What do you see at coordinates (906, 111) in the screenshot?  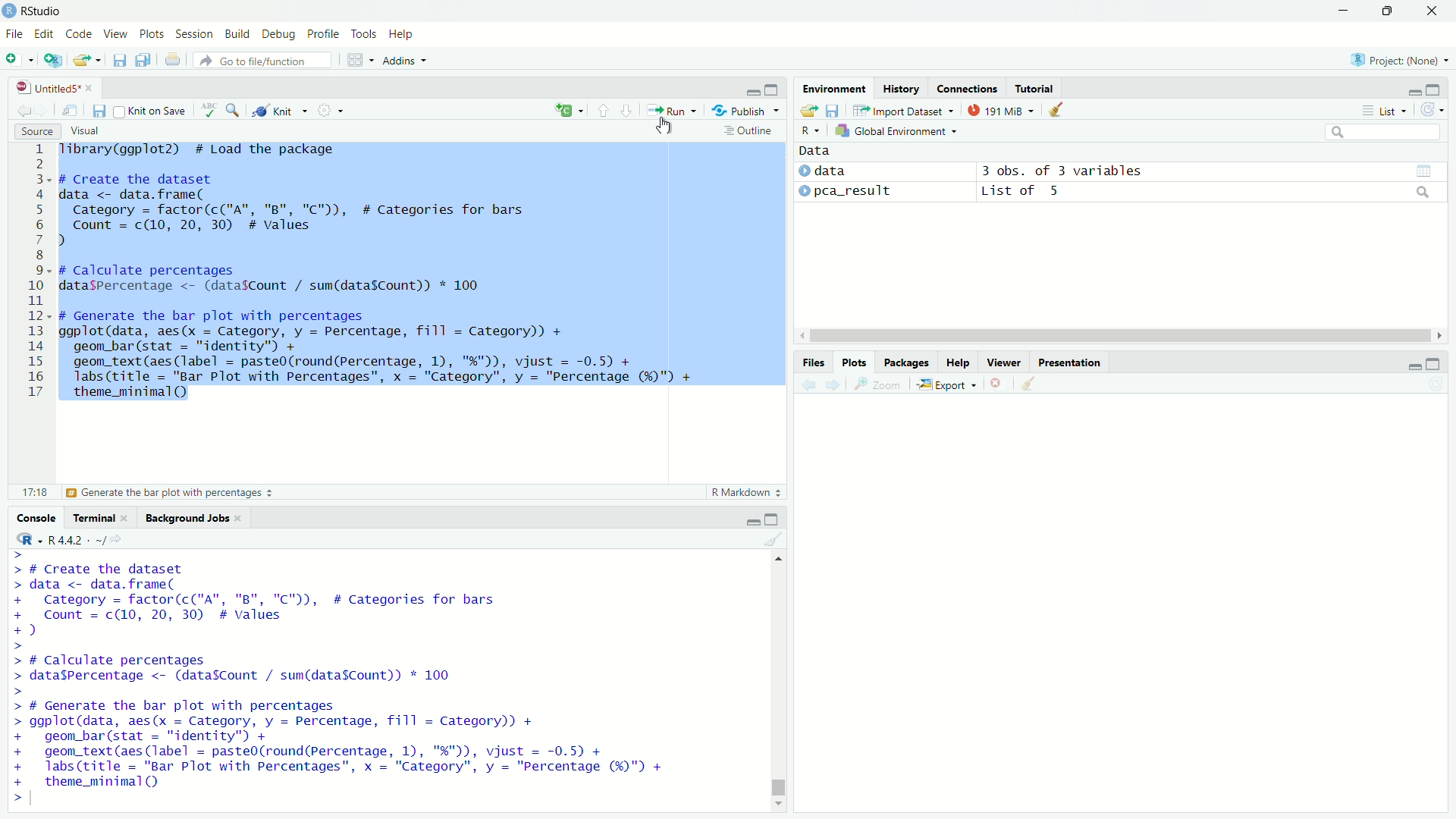 I see `import dataset` at bounding box center [906, 111].